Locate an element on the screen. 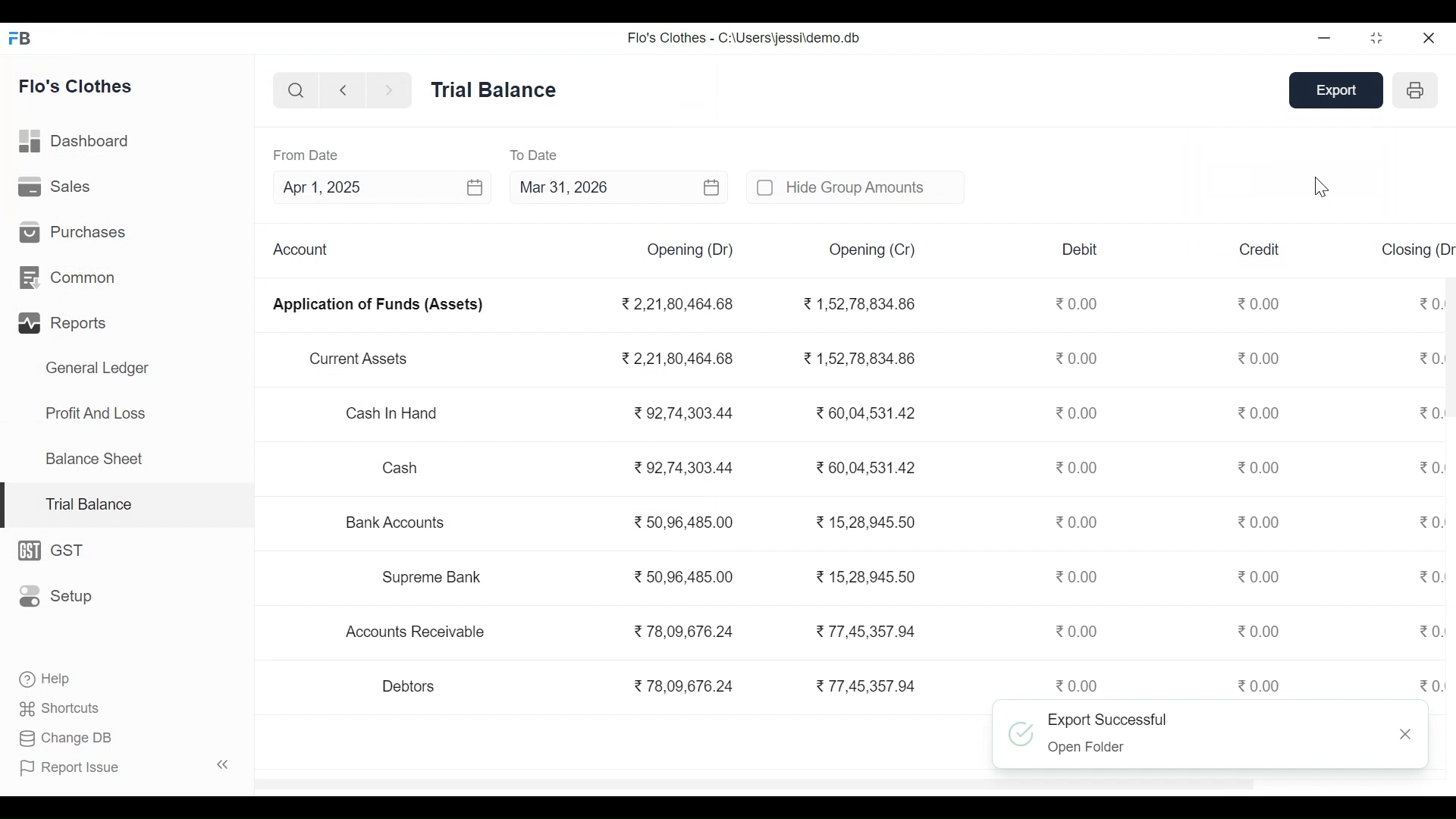 This screenshot has width=1456, height=819. Account is located at coordinates (305, 249).